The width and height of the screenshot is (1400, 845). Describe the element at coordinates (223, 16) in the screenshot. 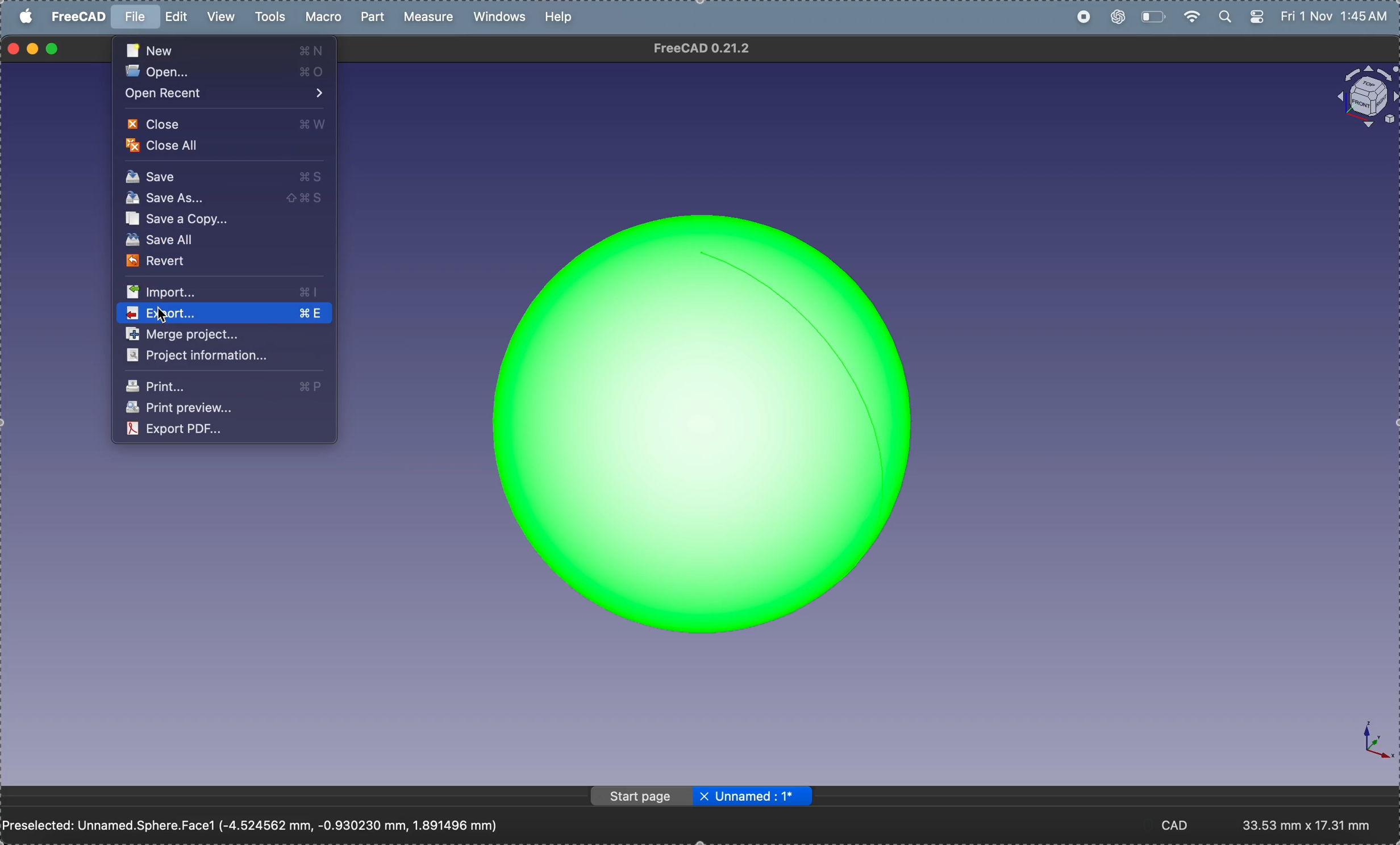

I see `view` at that location.